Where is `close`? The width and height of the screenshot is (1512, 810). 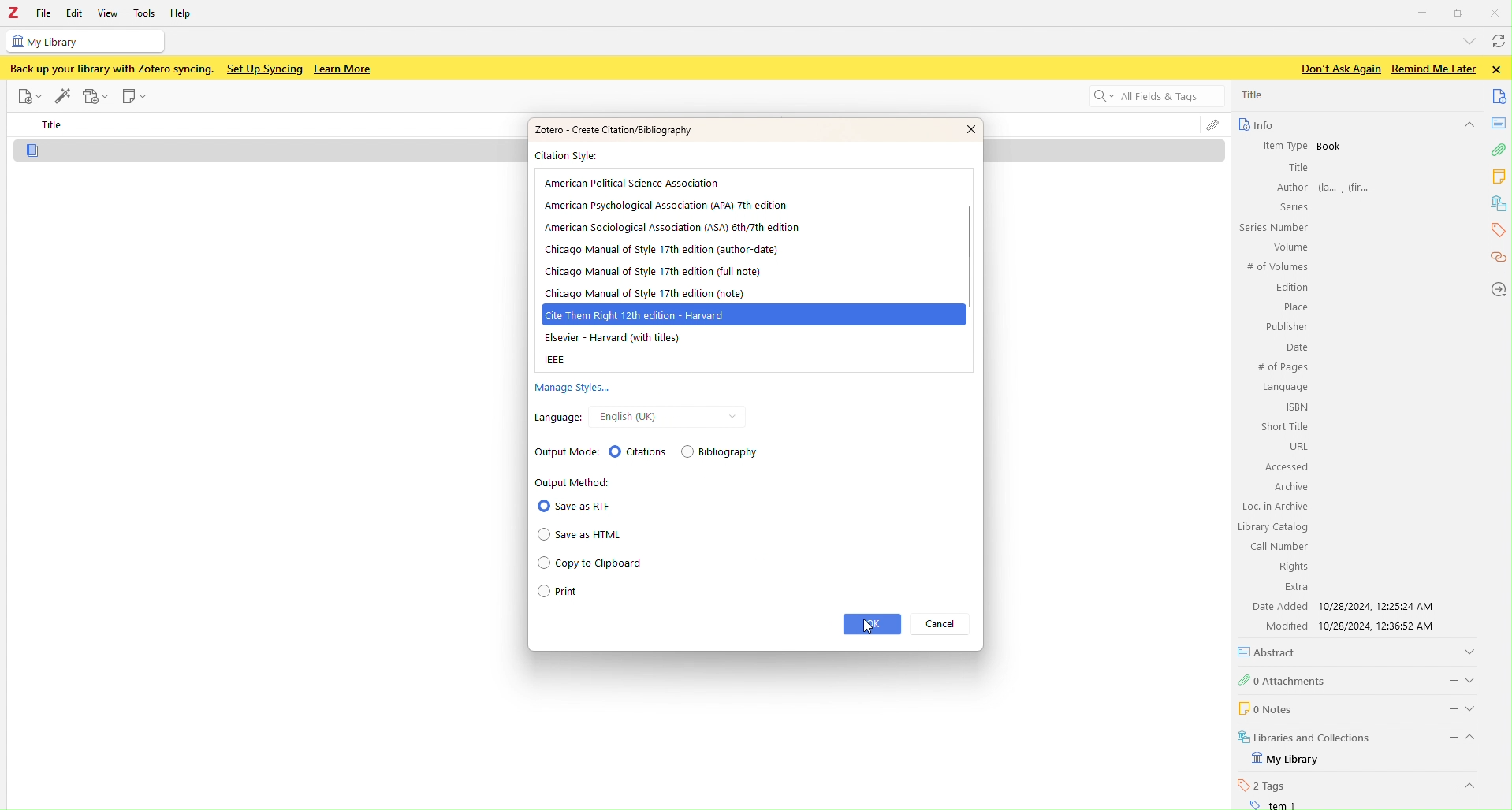
close is located at coordinates (1499, 69).